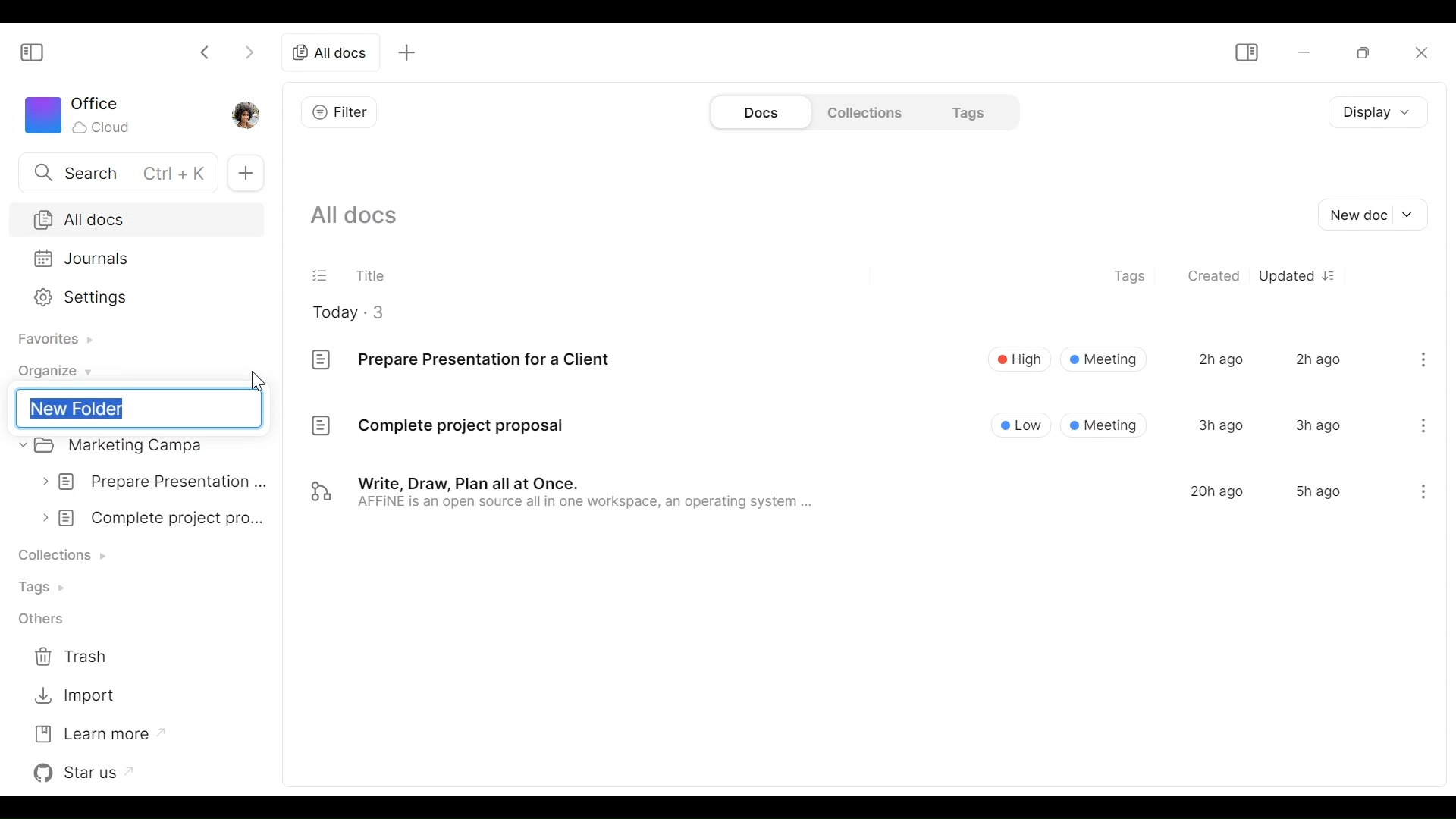 This screenshot has height=819, width=1456. I want to click on Updated, so click(1286, 275).